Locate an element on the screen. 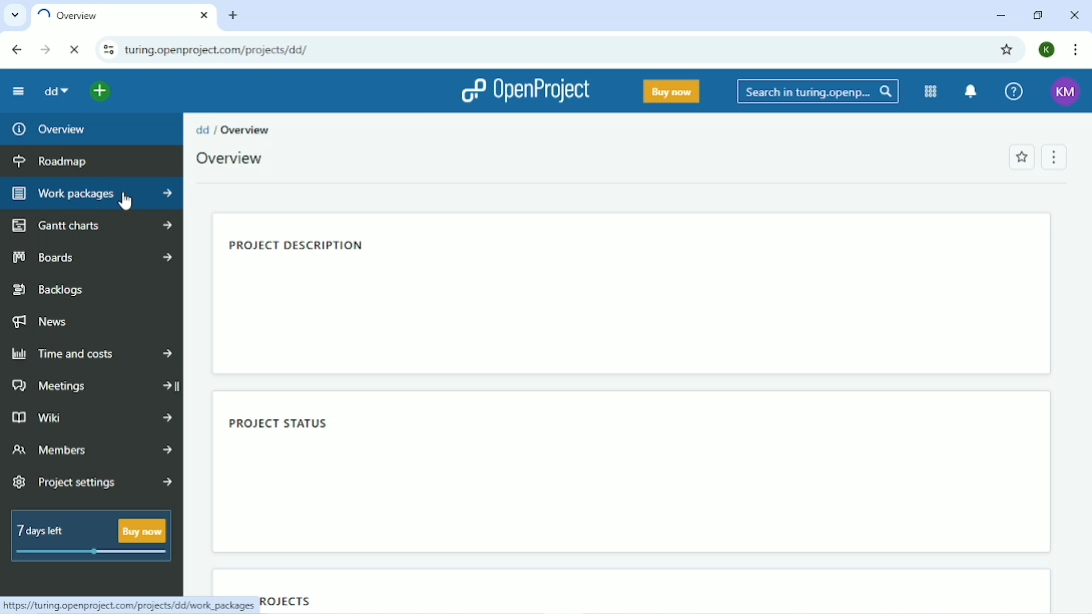 This screenshot has height=614, width=1092. Members is located at coordinates (90, 450).